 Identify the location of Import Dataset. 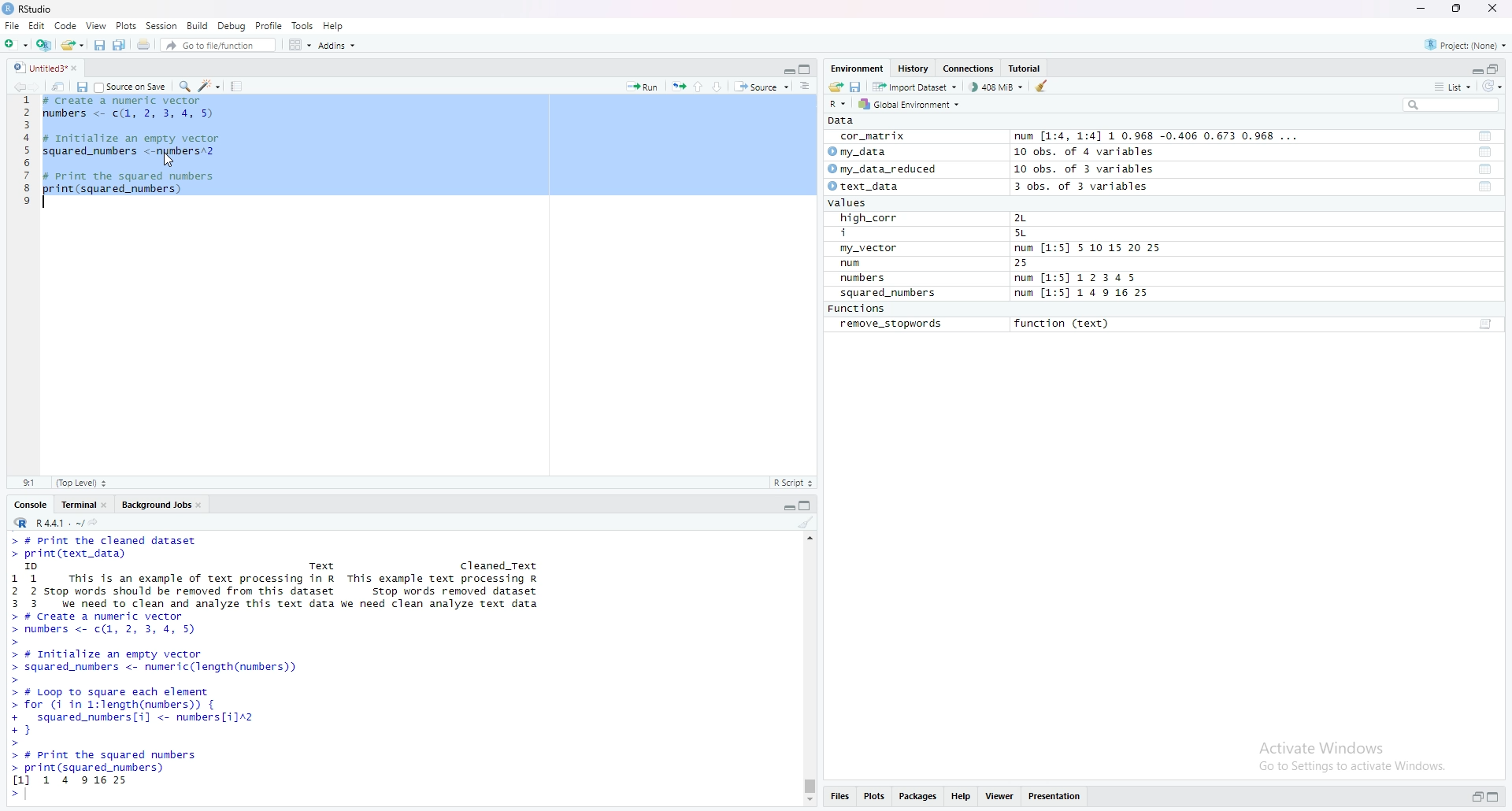
(914, 86).